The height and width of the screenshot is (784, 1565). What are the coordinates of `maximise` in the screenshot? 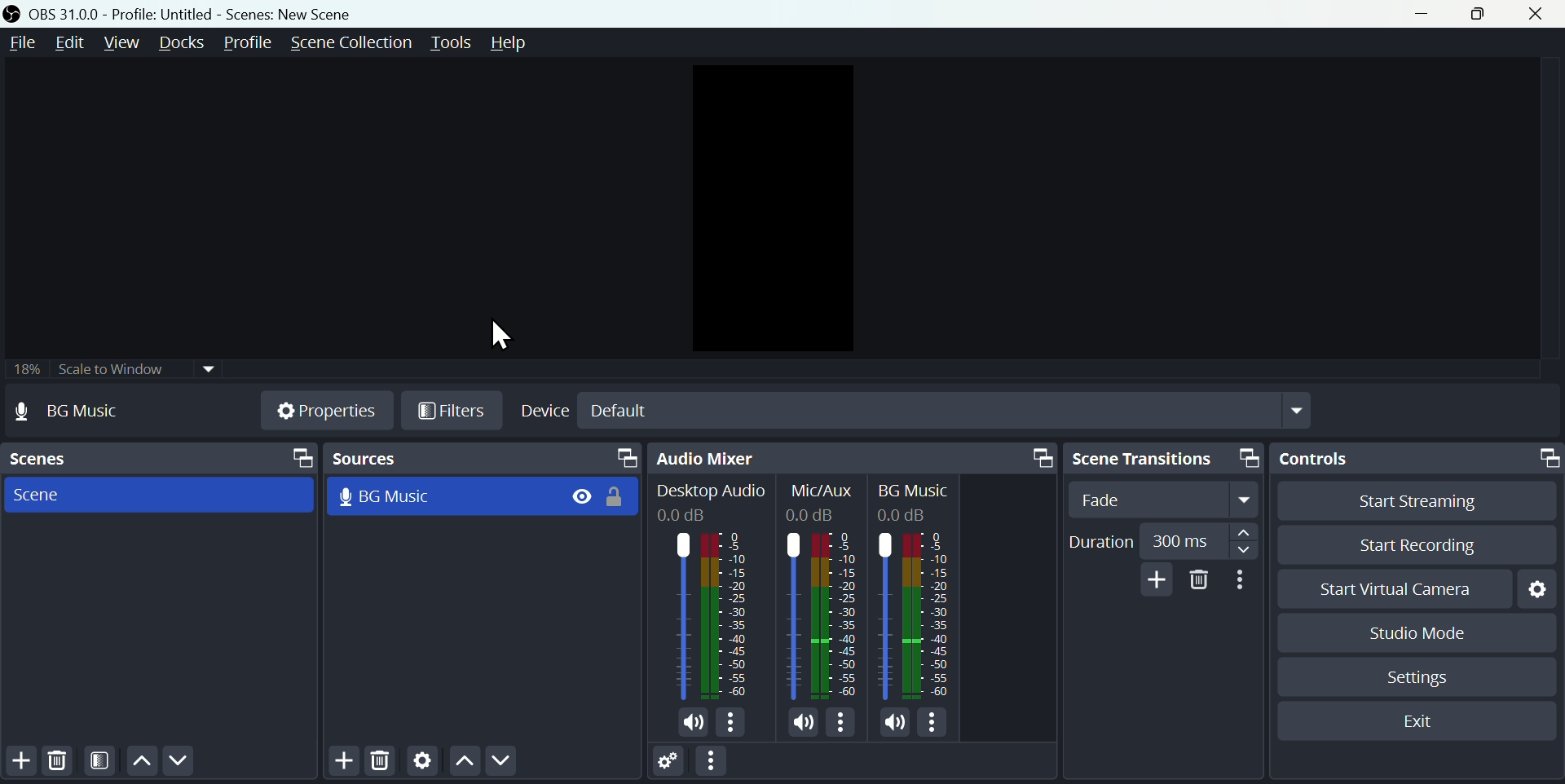 It's located at (1481, 14).